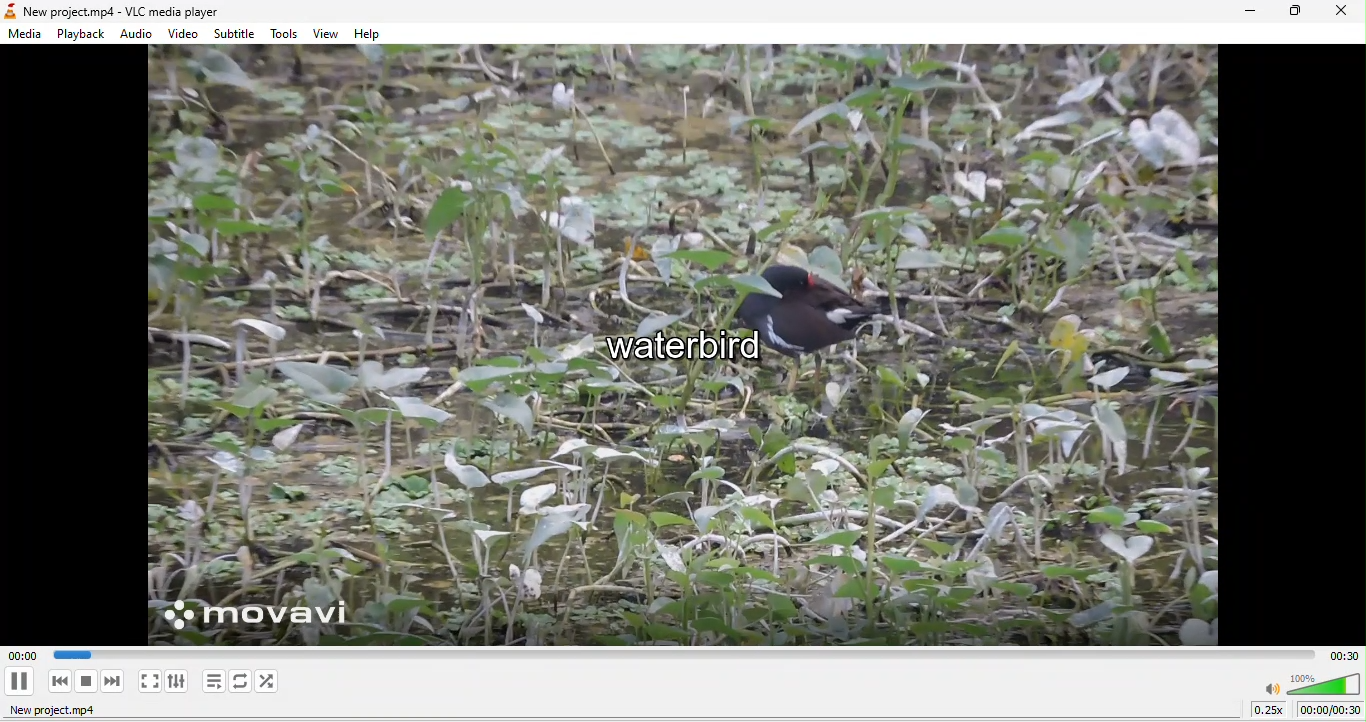  Describe the element at coordinates (677, 656) in the screenshot. I see `Play duration` at that location.